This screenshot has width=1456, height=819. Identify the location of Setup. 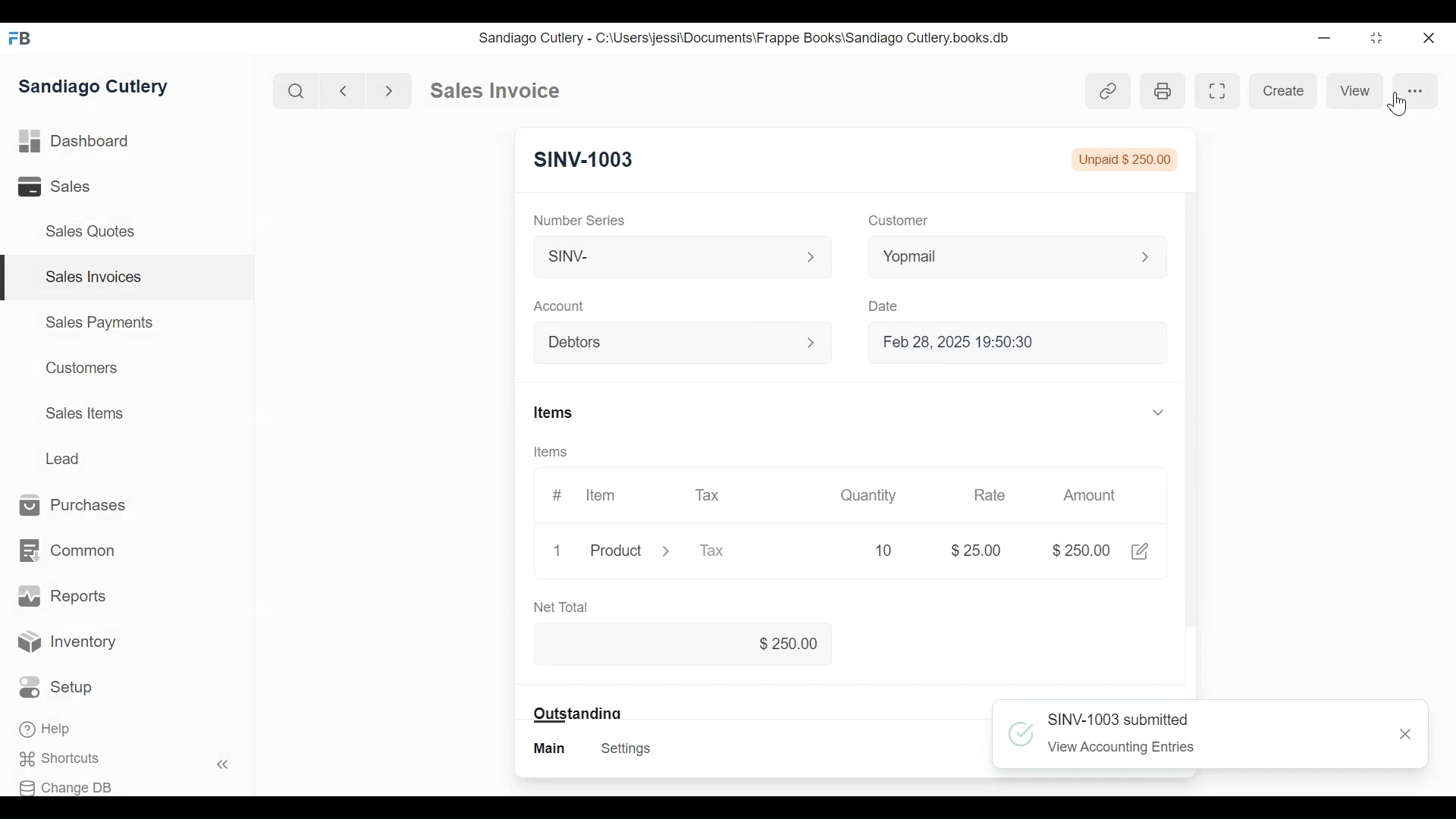
(56, 687).